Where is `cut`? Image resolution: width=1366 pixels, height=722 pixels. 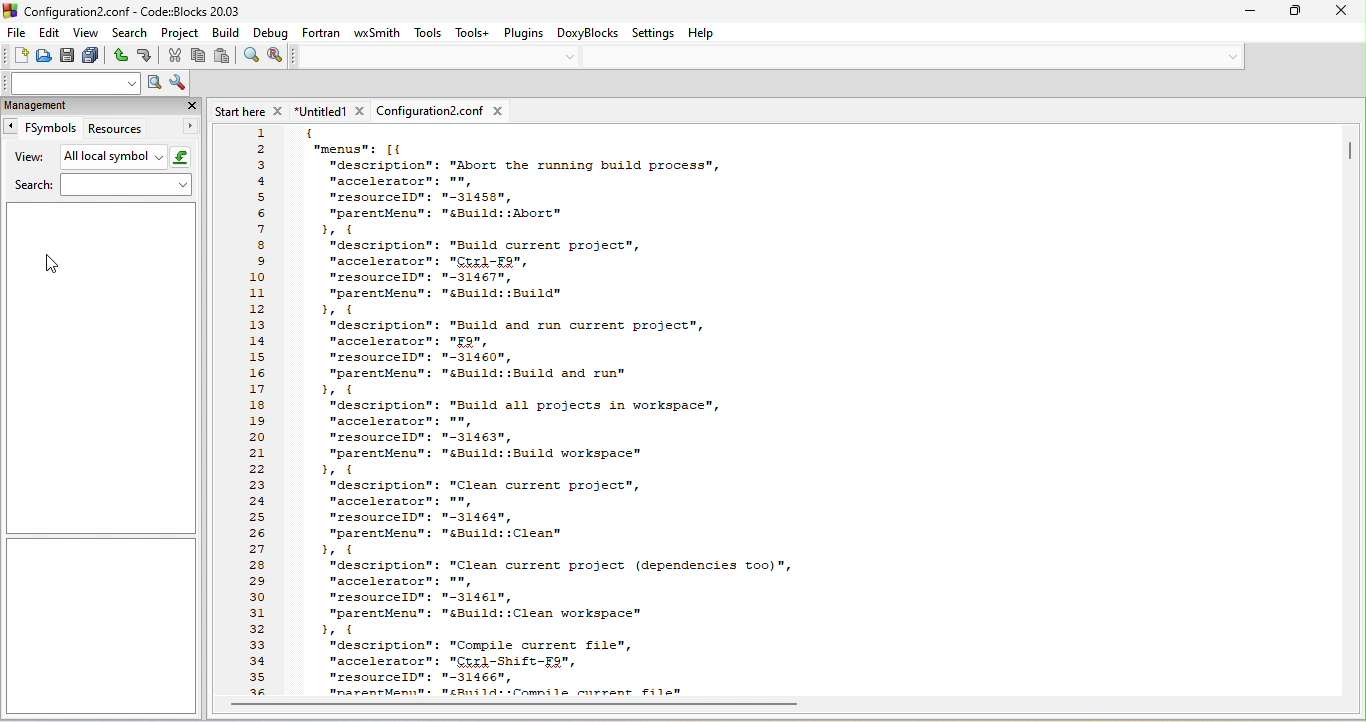
cut is located at coordinates (176, 56).